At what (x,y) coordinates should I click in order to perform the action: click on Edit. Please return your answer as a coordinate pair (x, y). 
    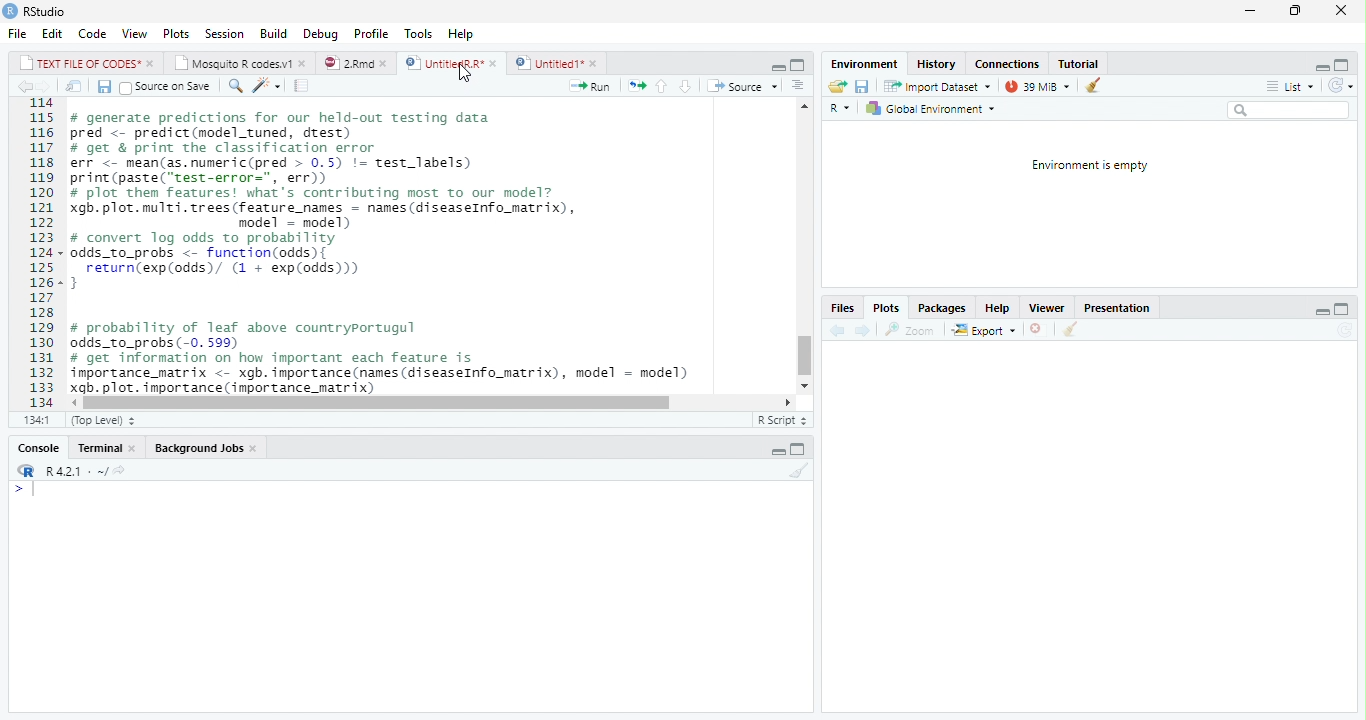
    Looking at the image, I should click on (50, 33).